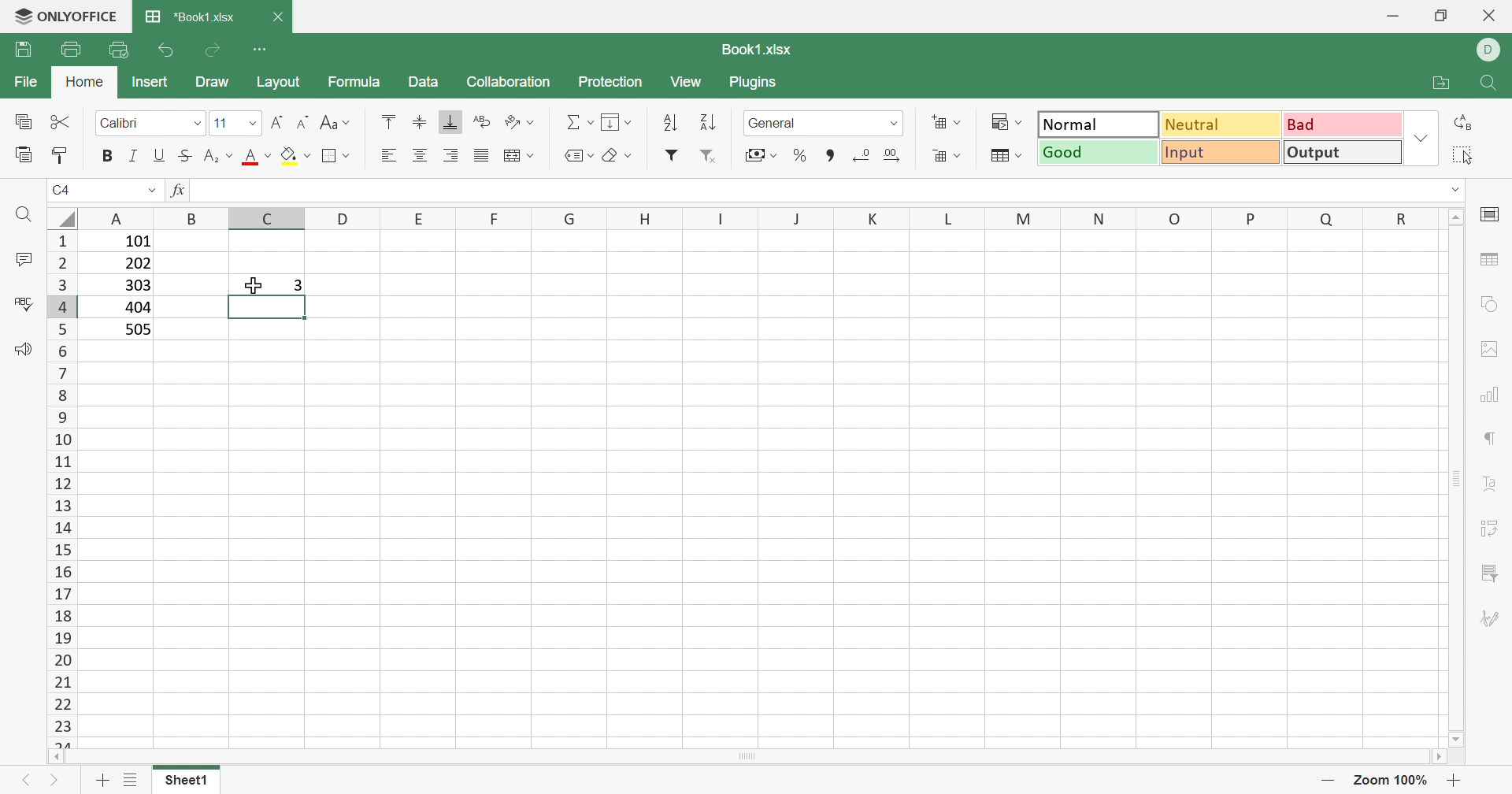  I want to click on Scroll Bar settings, so click(1458, 477).